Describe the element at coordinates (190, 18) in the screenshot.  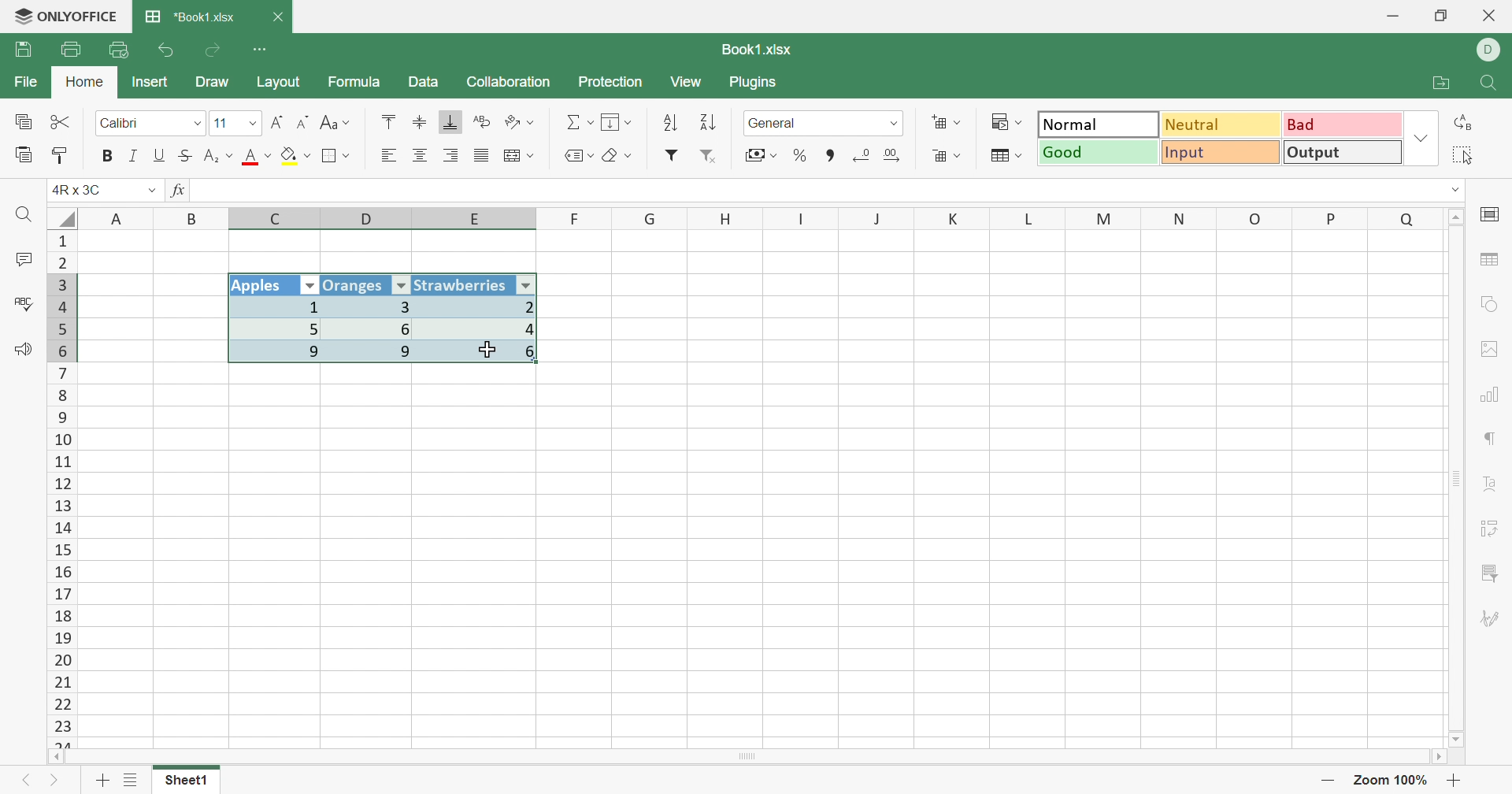
I see `*Book1.xlsx` at that location.